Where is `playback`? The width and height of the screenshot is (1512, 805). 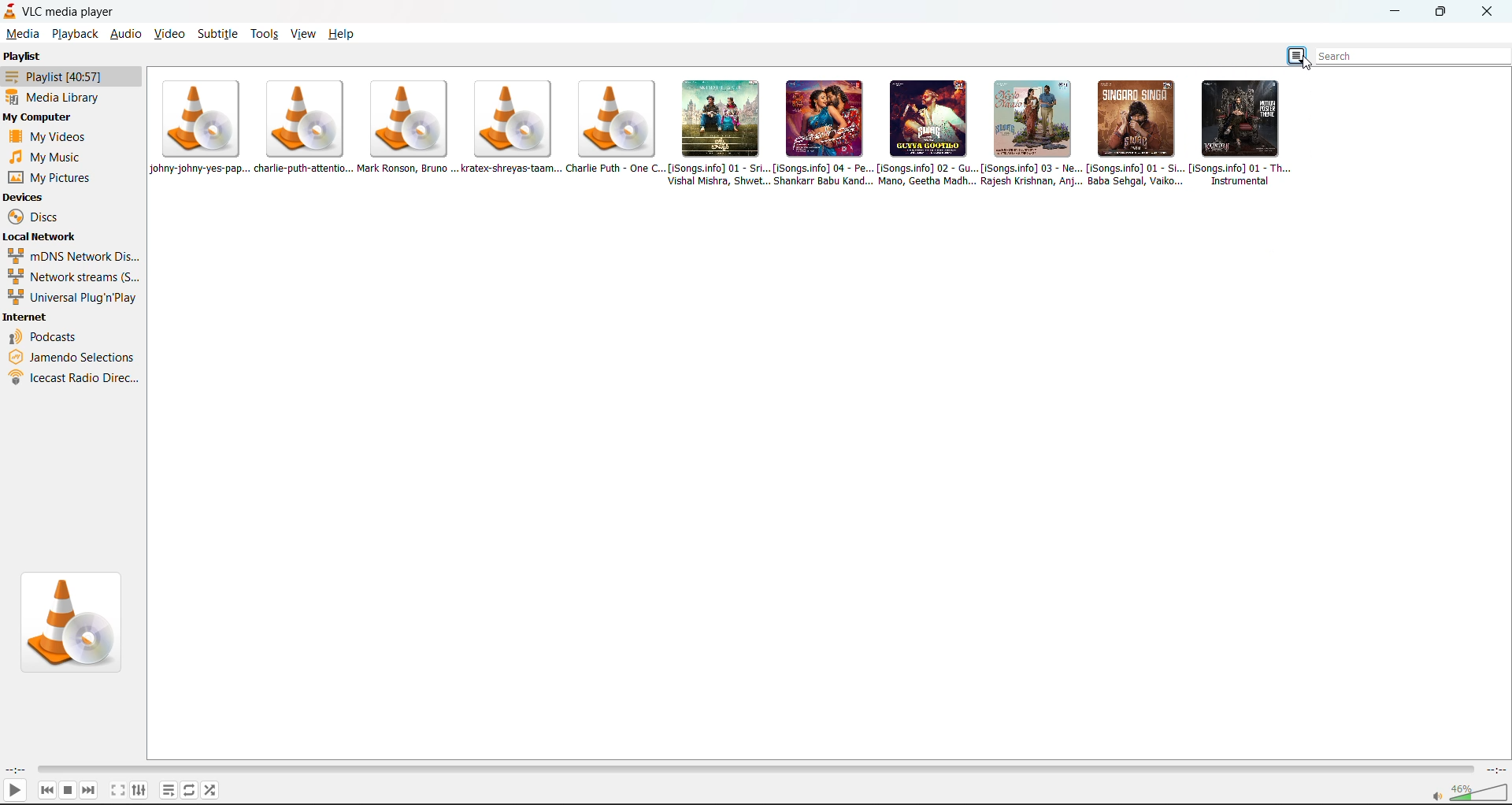
playback is located at coordinates (75, 35).